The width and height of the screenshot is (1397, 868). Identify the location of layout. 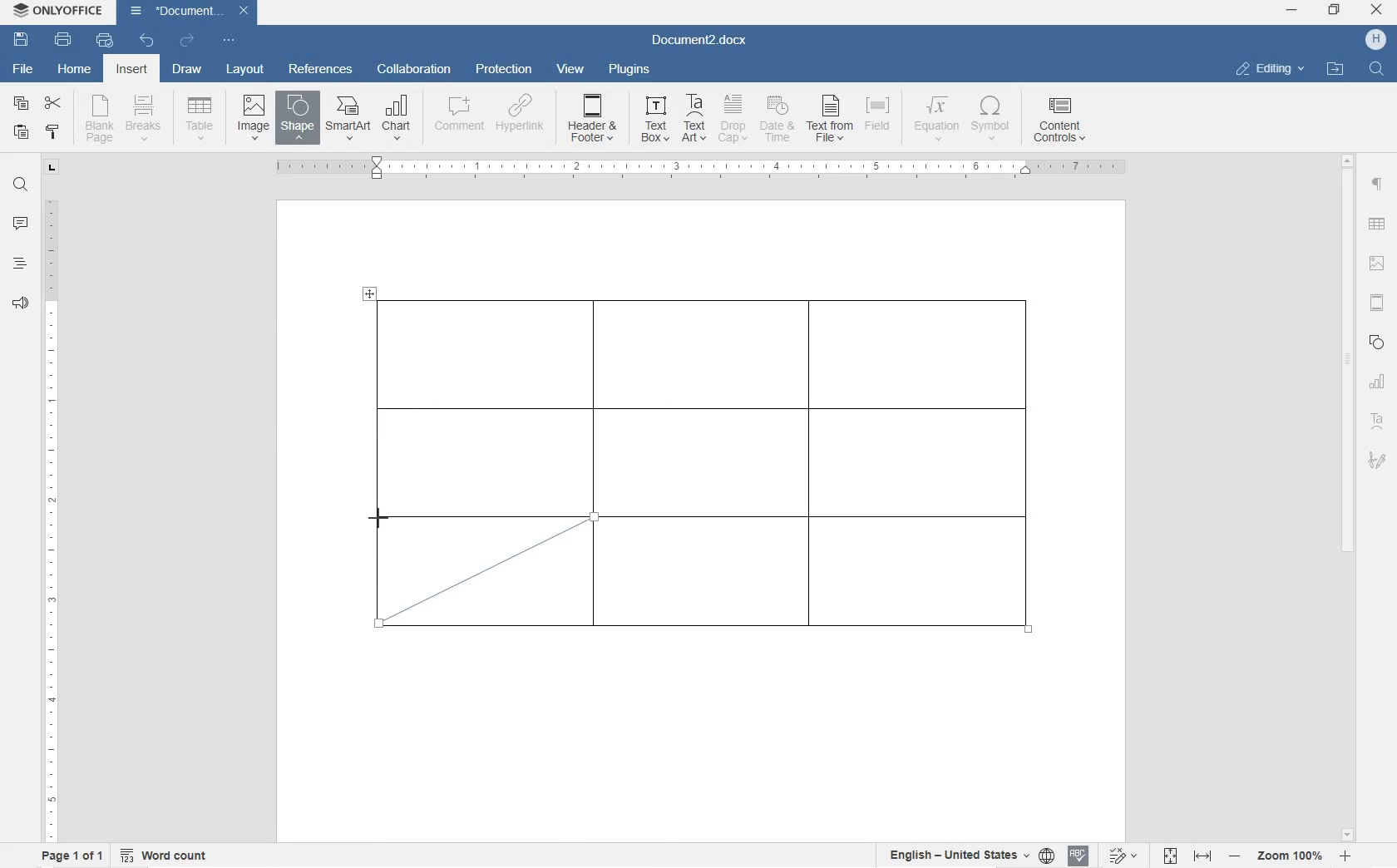
(246, 70).